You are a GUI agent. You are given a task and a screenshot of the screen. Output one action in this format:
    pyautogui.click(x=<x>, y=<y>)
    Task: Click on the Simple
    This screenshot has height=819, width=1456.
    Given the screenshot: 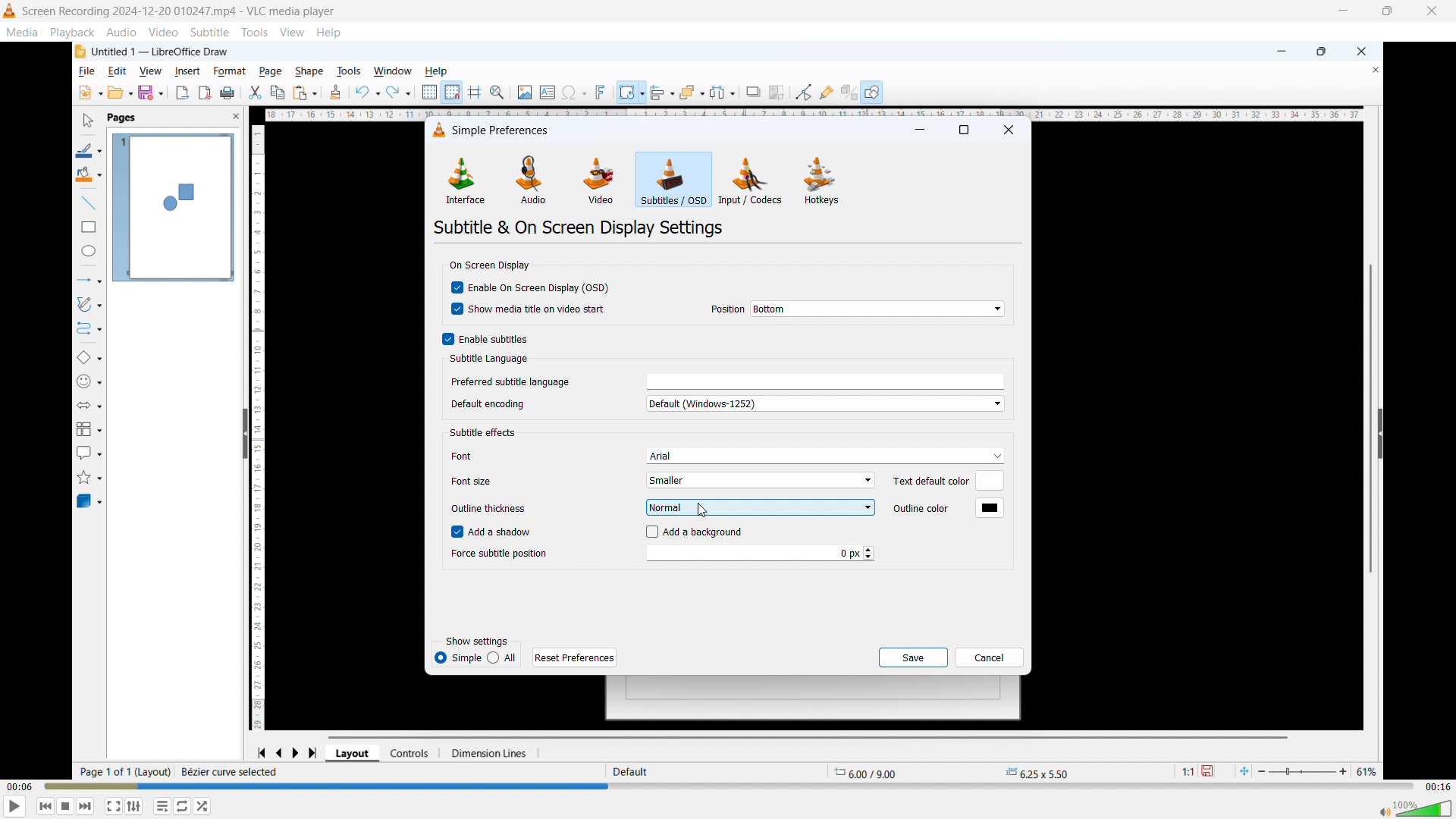 What is the action you would take?
    pyautogui.click(x=457, y=660)
    